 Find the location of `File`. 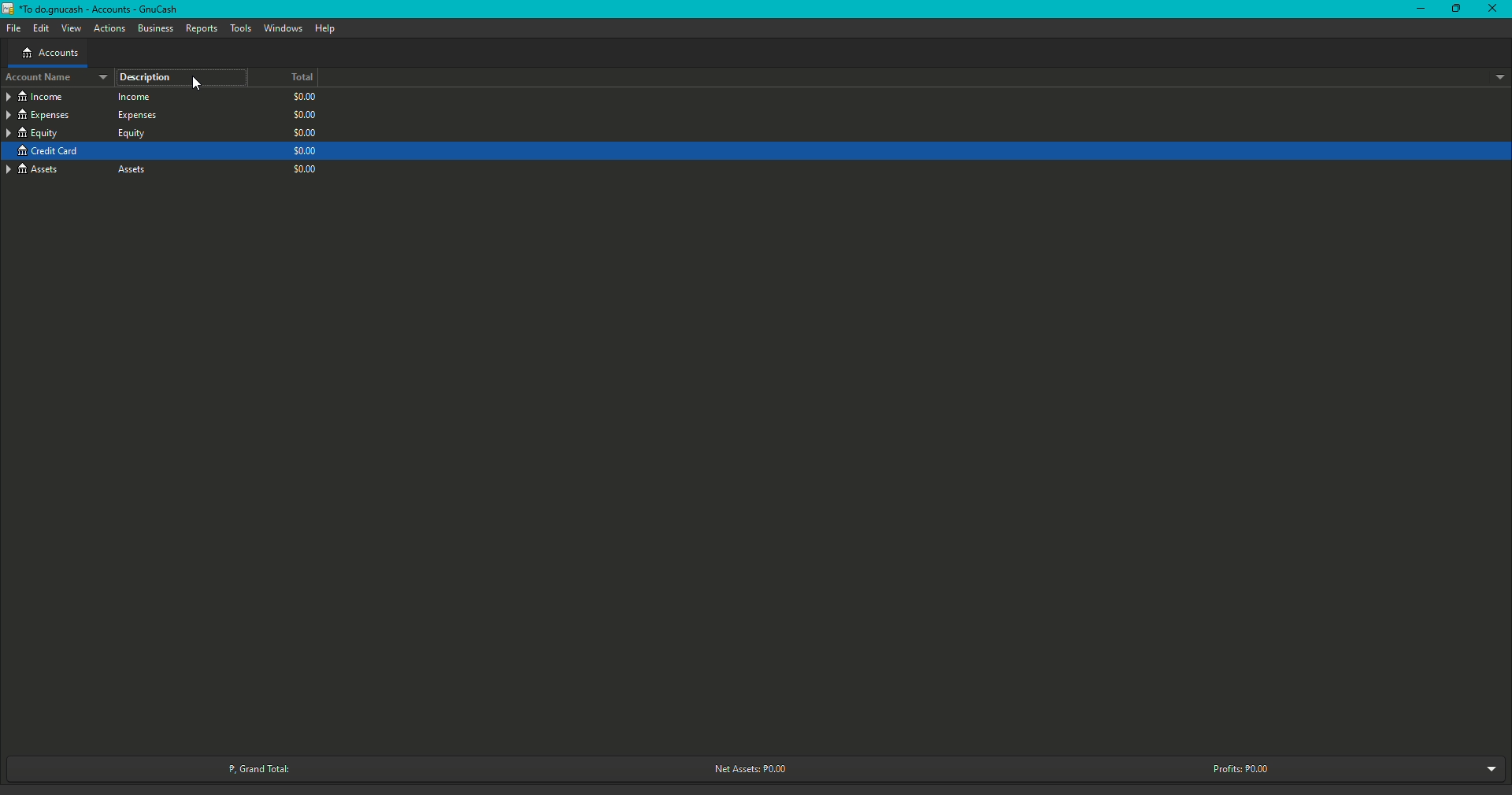

File is located at coordinates (11, 29).